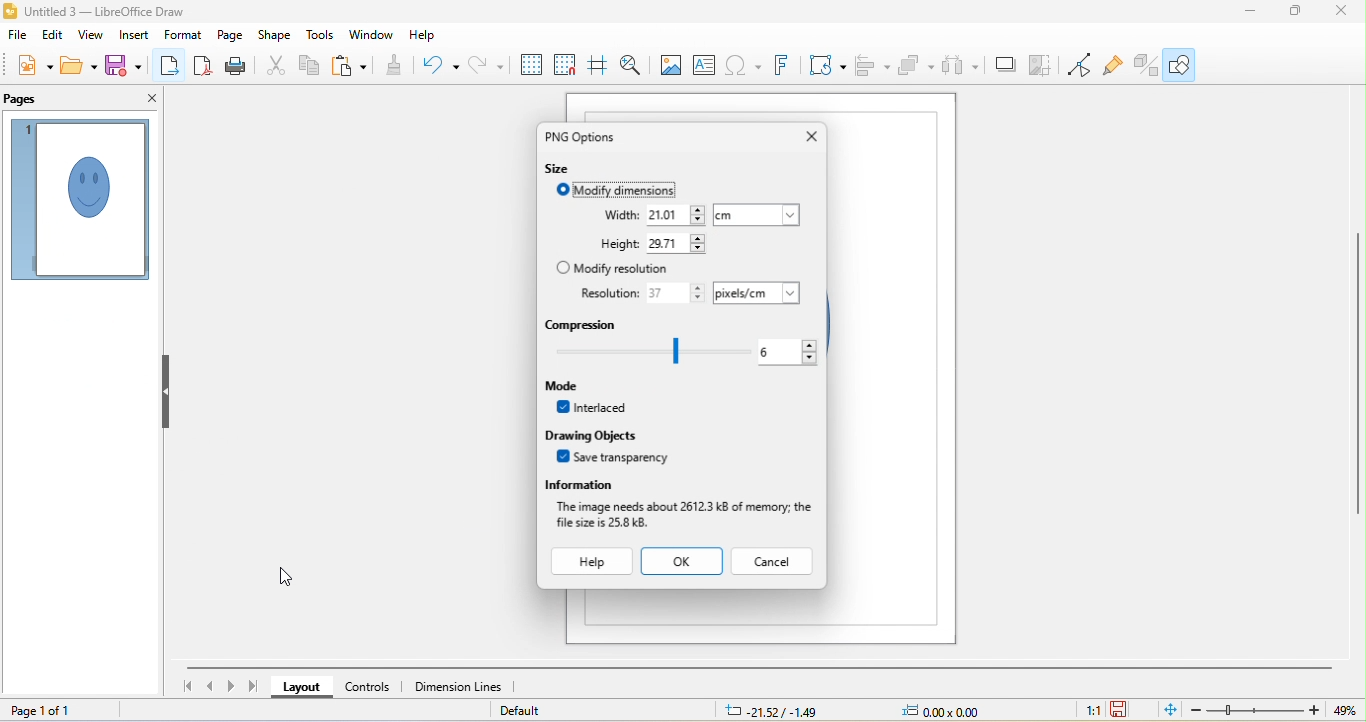 The image size is (1366, 722). What do you see at coordinates (598, 65) in the screenshot?
I see `helplines while moving` at bounding box center [598, 65].